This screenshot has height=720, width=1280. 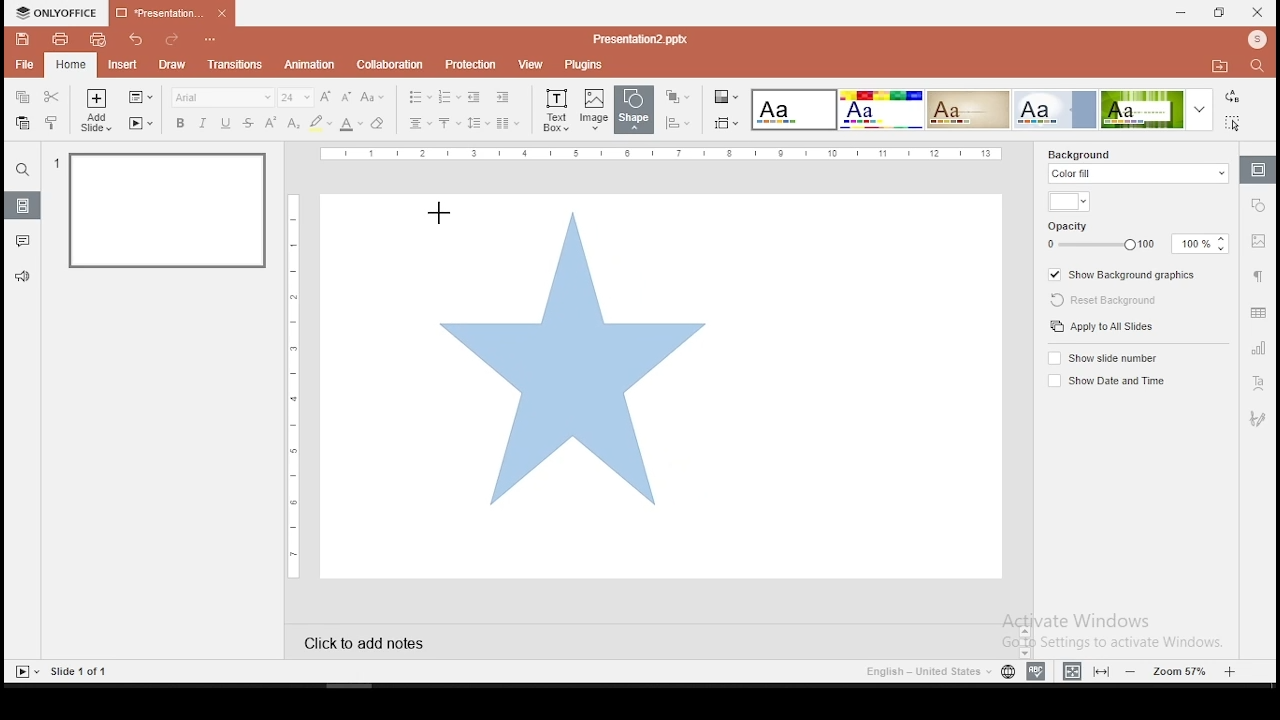 What do you see at coordinates (584, 66) in the screenshot?
I see `plugins` at bounding box center [584, 66].